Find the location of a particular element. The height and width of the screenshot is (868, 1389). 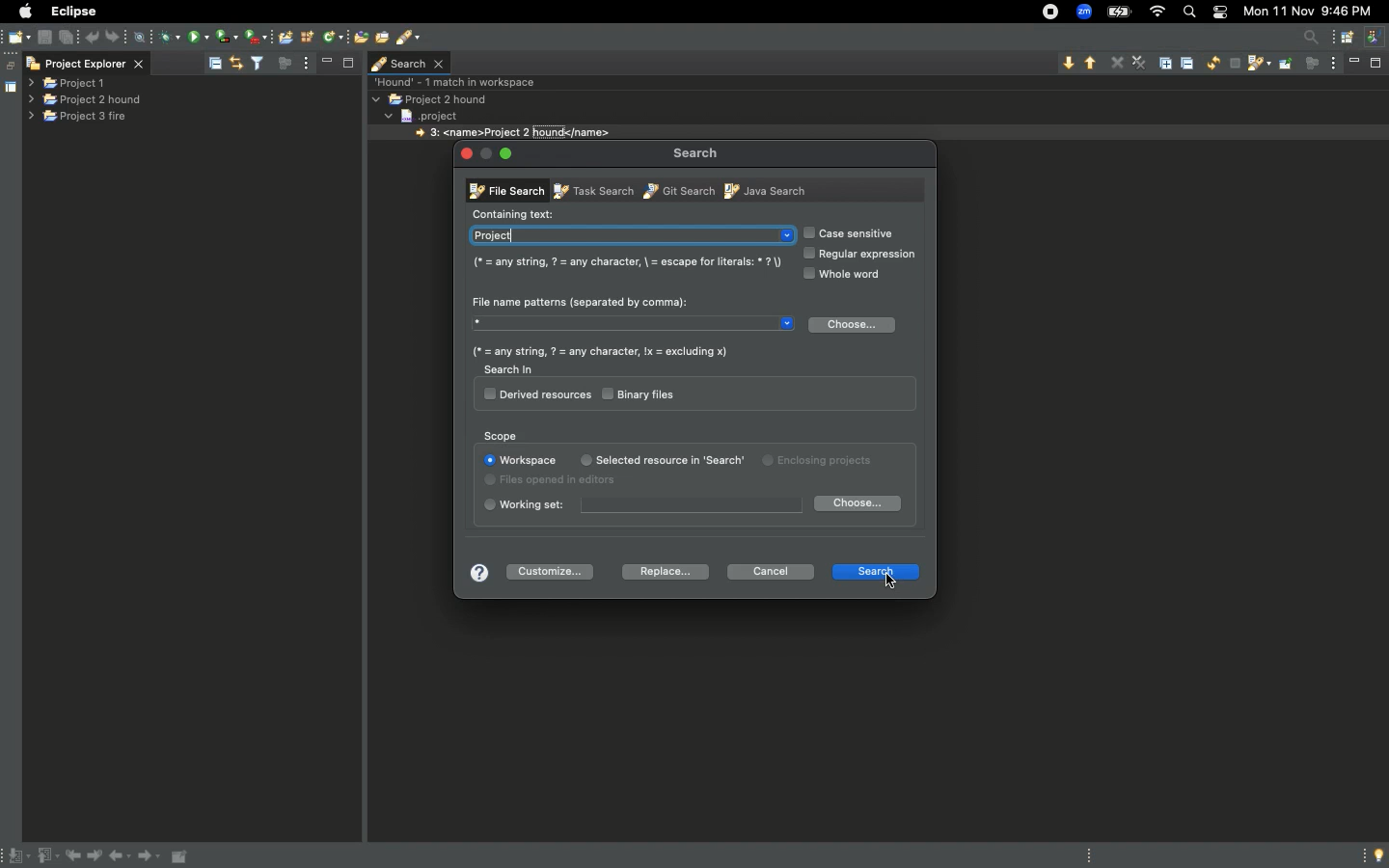

Project 2 hound is located at coordinates (88, 99).